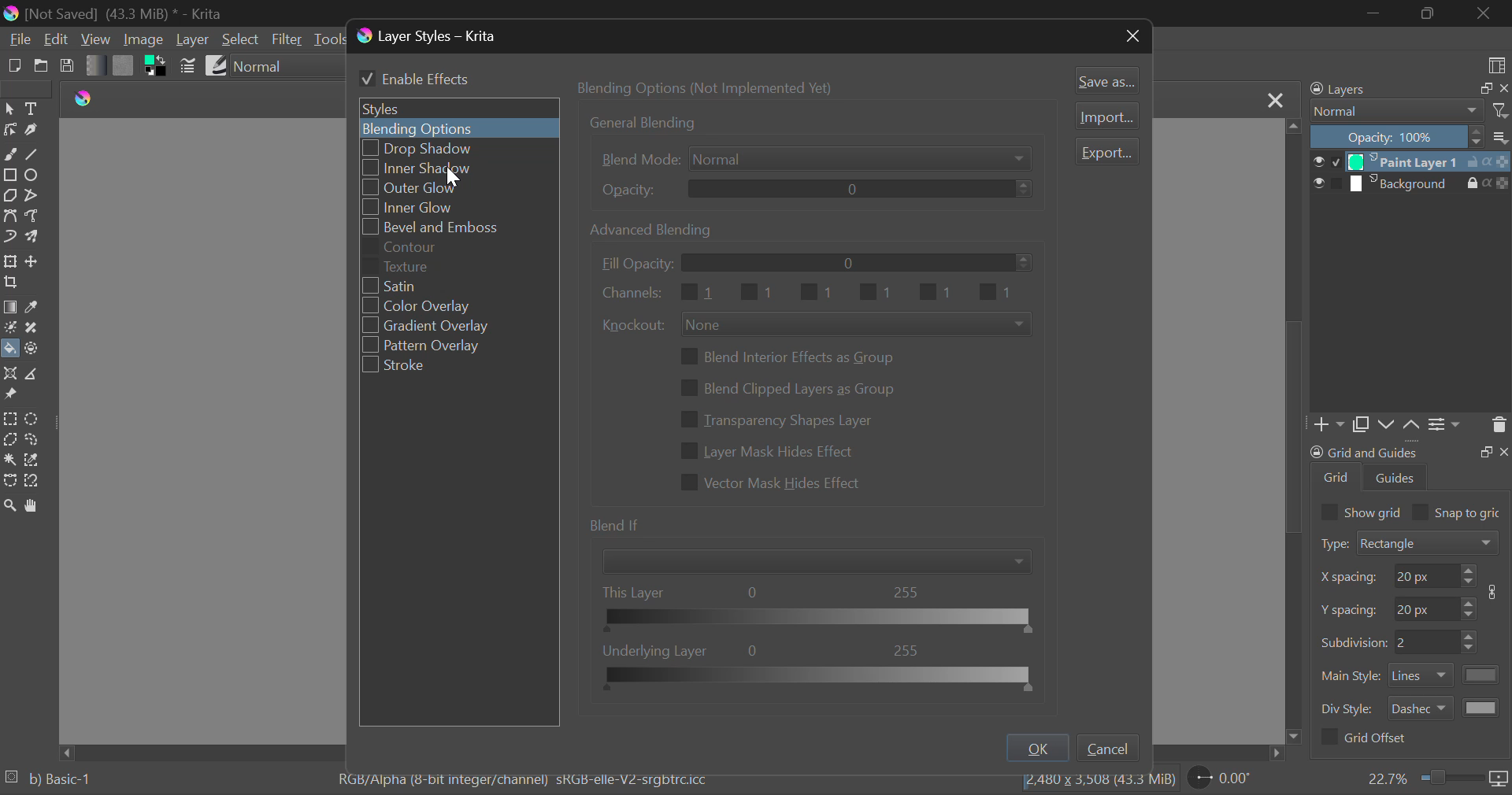  Describe the element at coordinates (1431, 13) in the screenshot. I see `Minimize` at that location.